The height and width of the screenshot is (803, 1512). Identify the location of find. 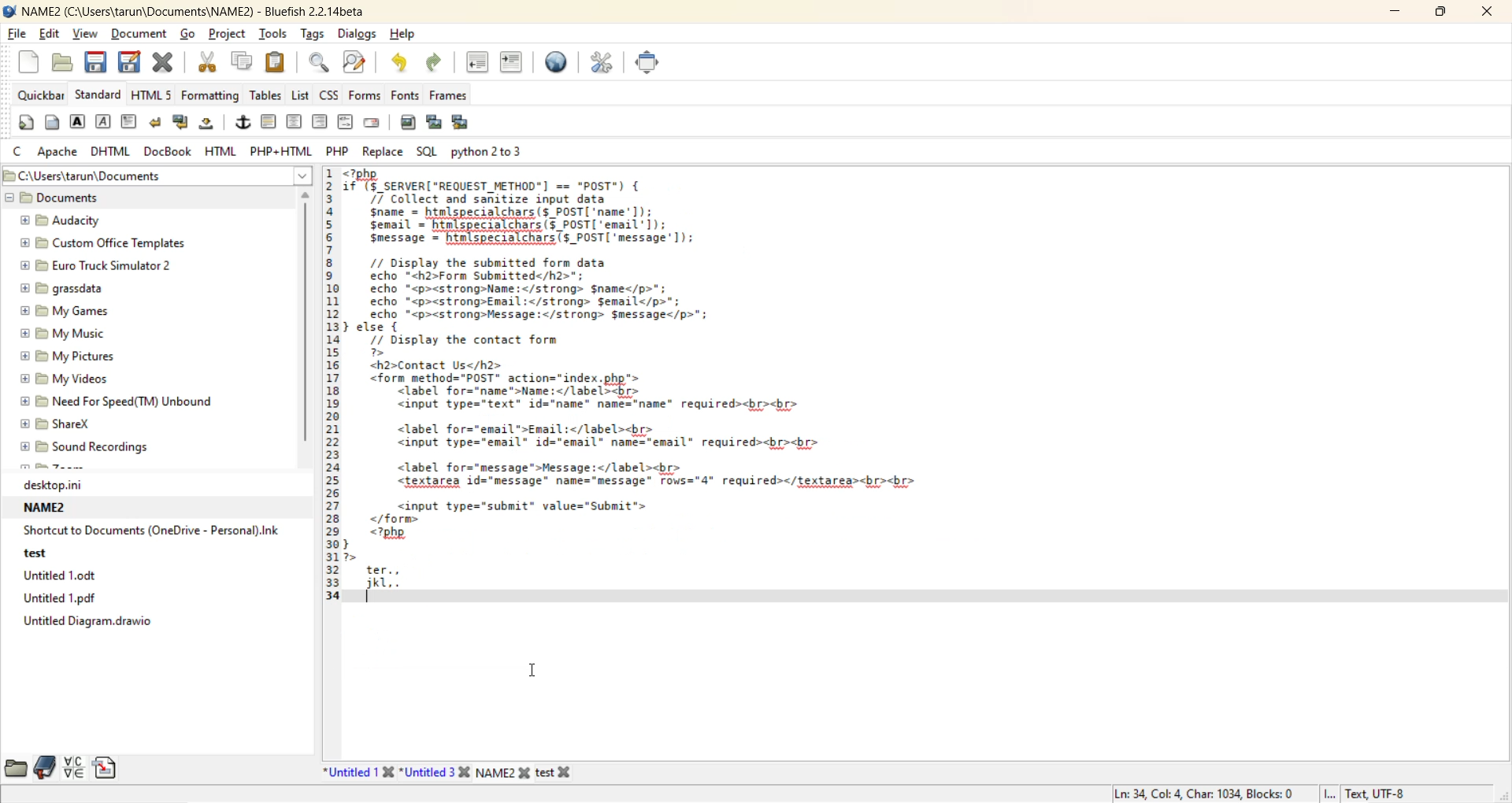
(320, 64).